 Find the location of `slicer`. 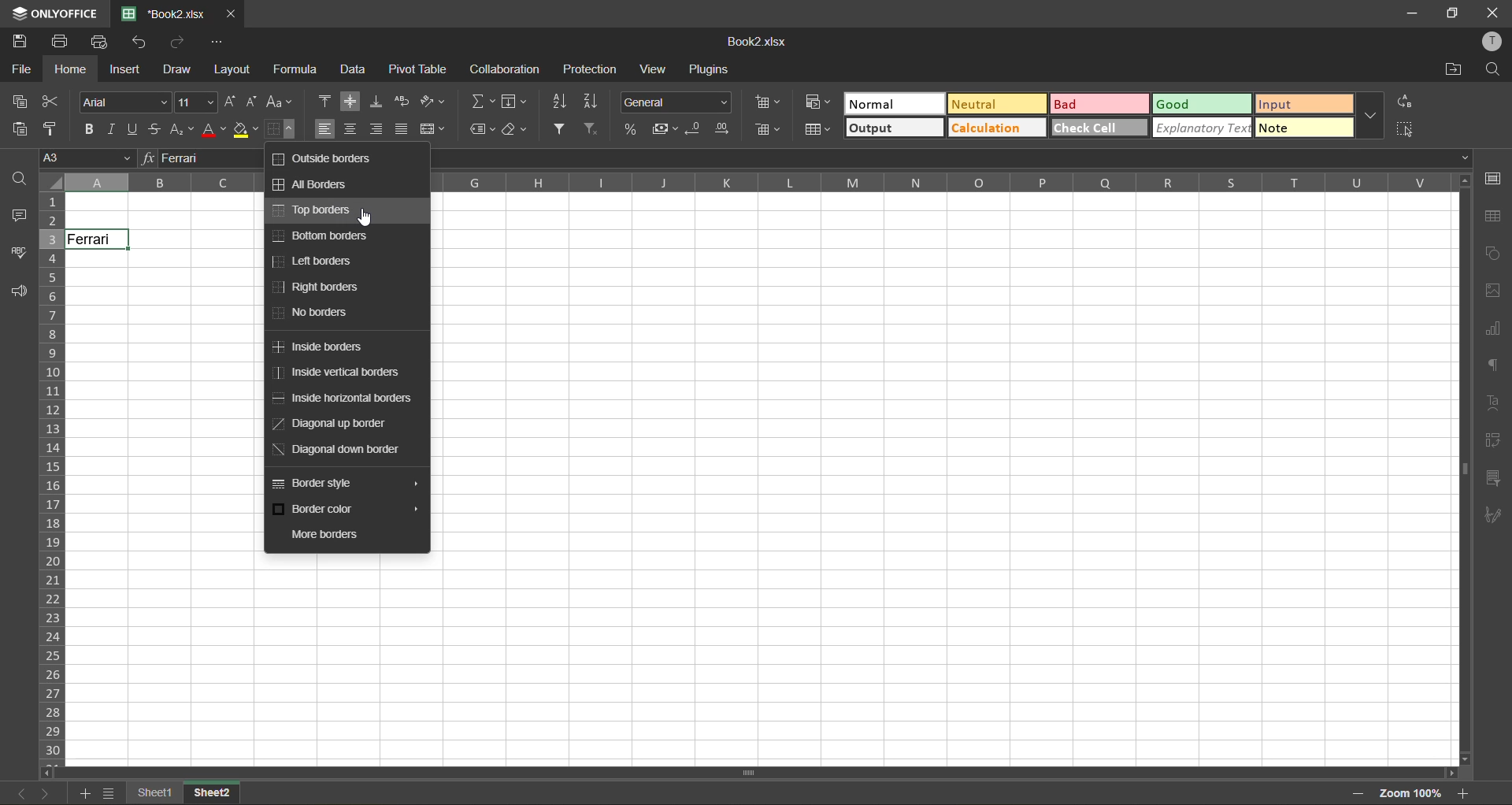

slicer is located at coordinates (1492, 476).